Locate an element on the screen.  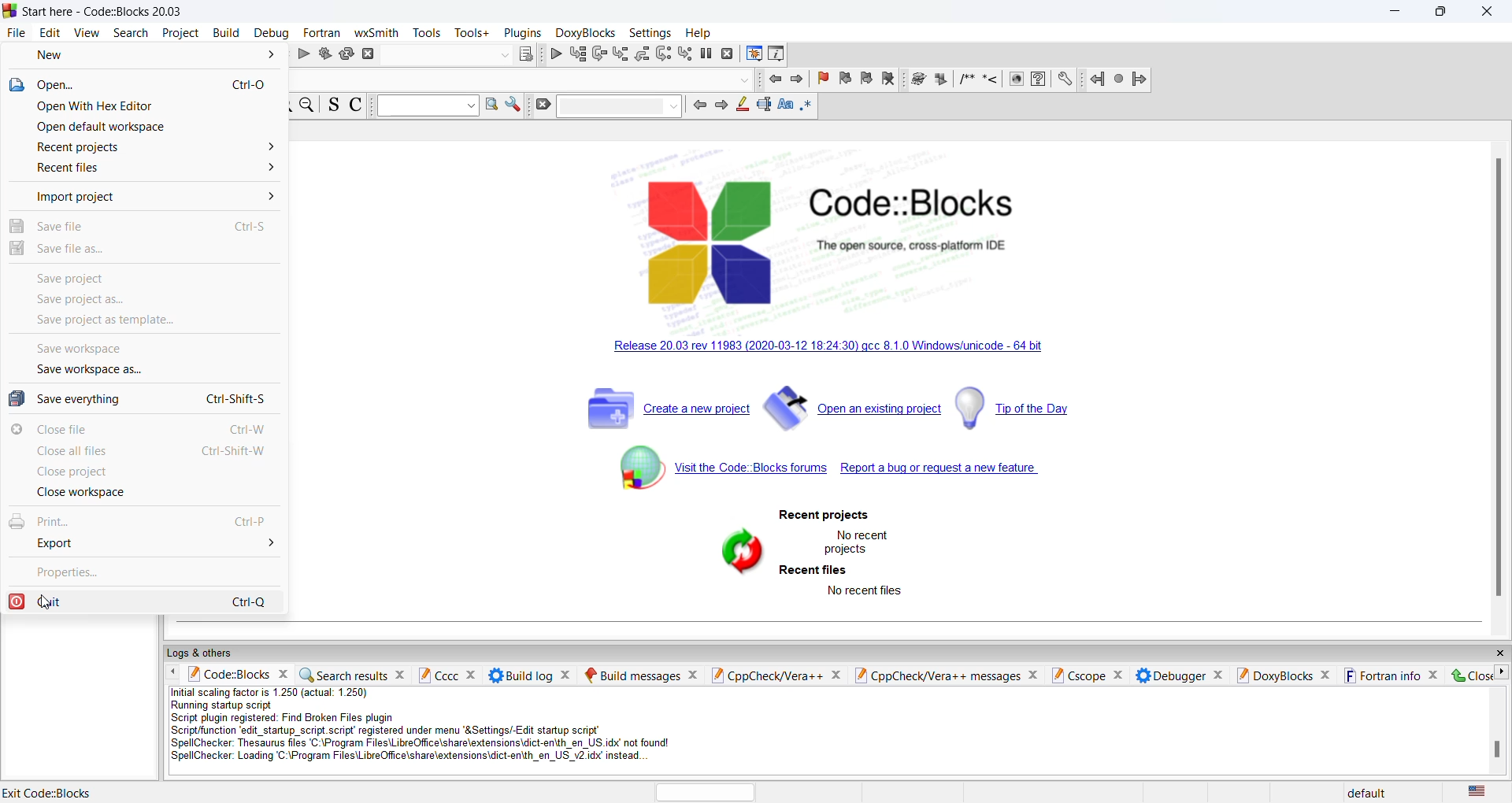
faq is located at coordinates (1043, 80).